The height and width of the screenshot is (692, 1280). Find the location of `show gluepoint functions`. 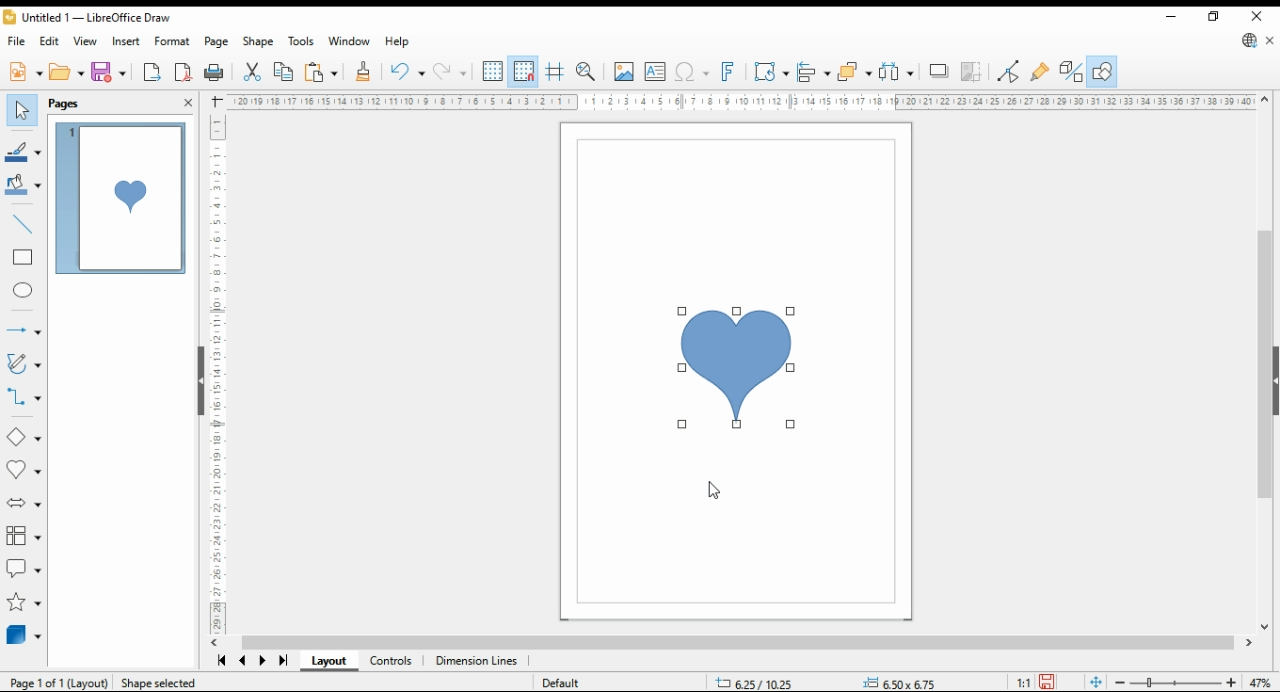

show gluepoint functions is located at coordinates (1040, 73).